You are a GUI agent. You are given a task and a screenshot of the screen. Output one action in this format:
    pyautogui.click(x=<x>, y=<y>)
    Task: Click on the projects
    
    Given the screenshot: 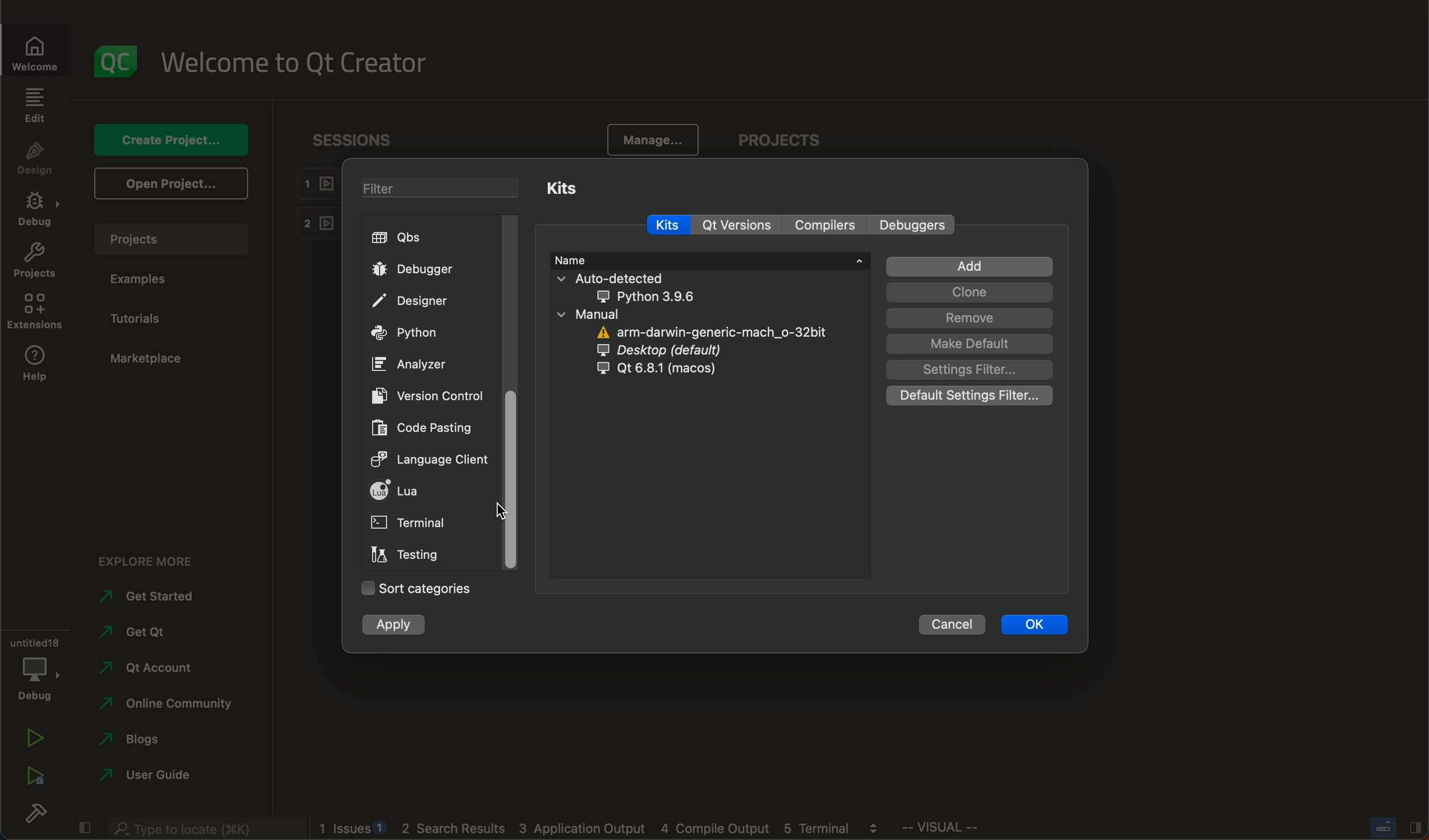 What is the action you would take?
    pyautogui.click(x=35, y=262)
    